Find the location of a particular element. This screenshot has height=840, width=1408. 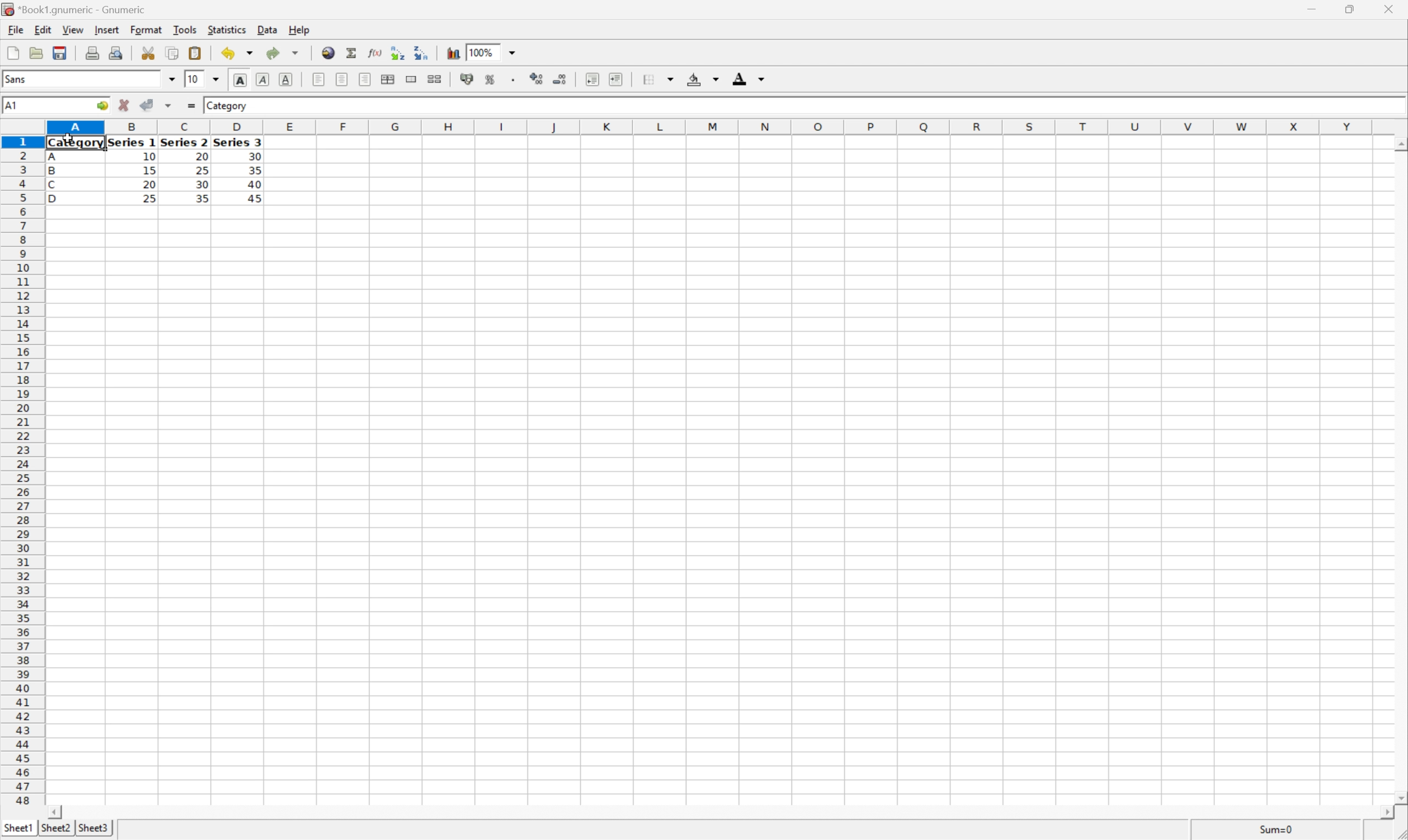

Borders is located at coordinates (661, 78).